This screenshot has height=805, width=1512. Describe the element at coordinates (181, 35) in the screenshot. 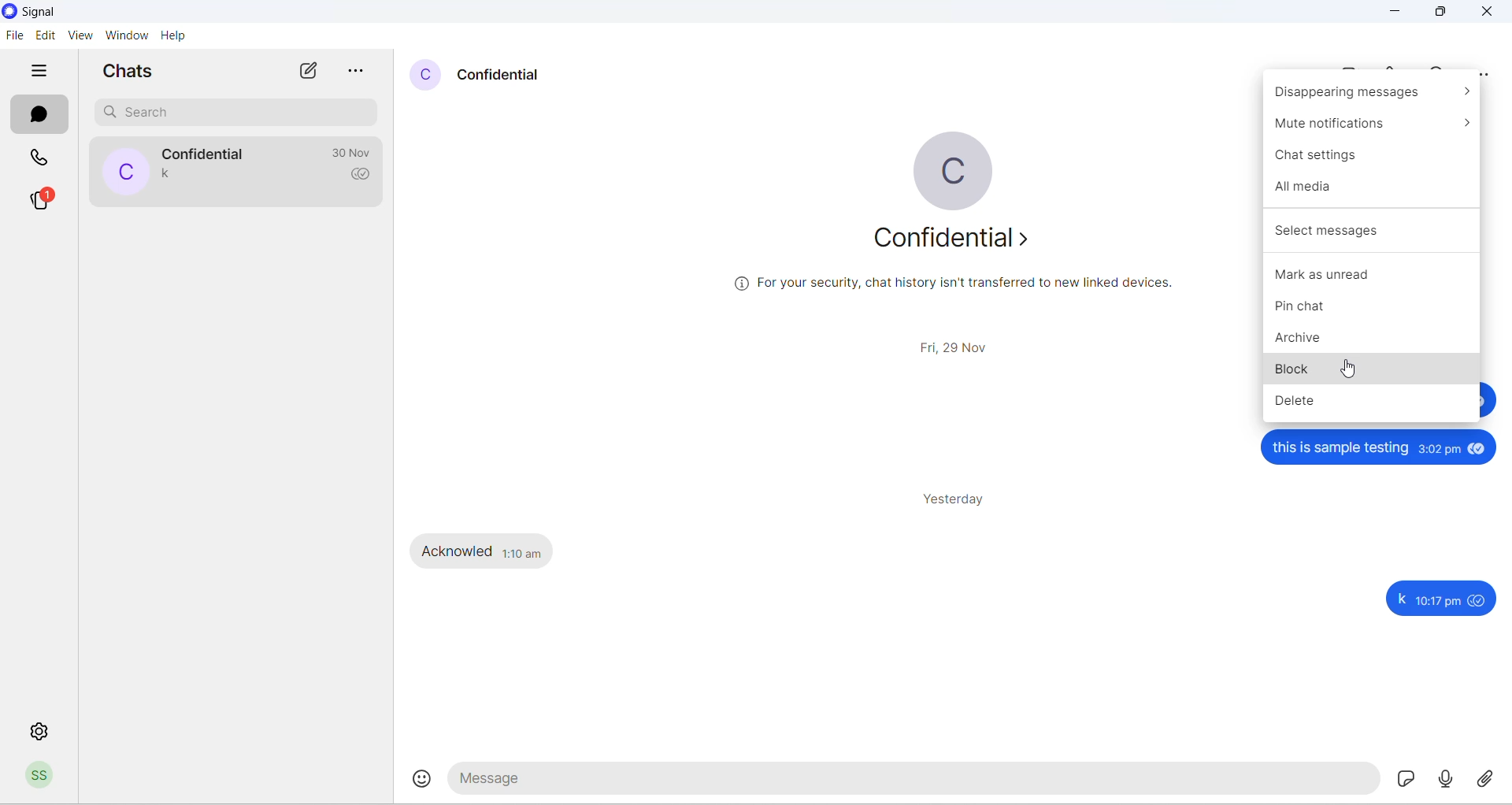

I see `help` at that location.